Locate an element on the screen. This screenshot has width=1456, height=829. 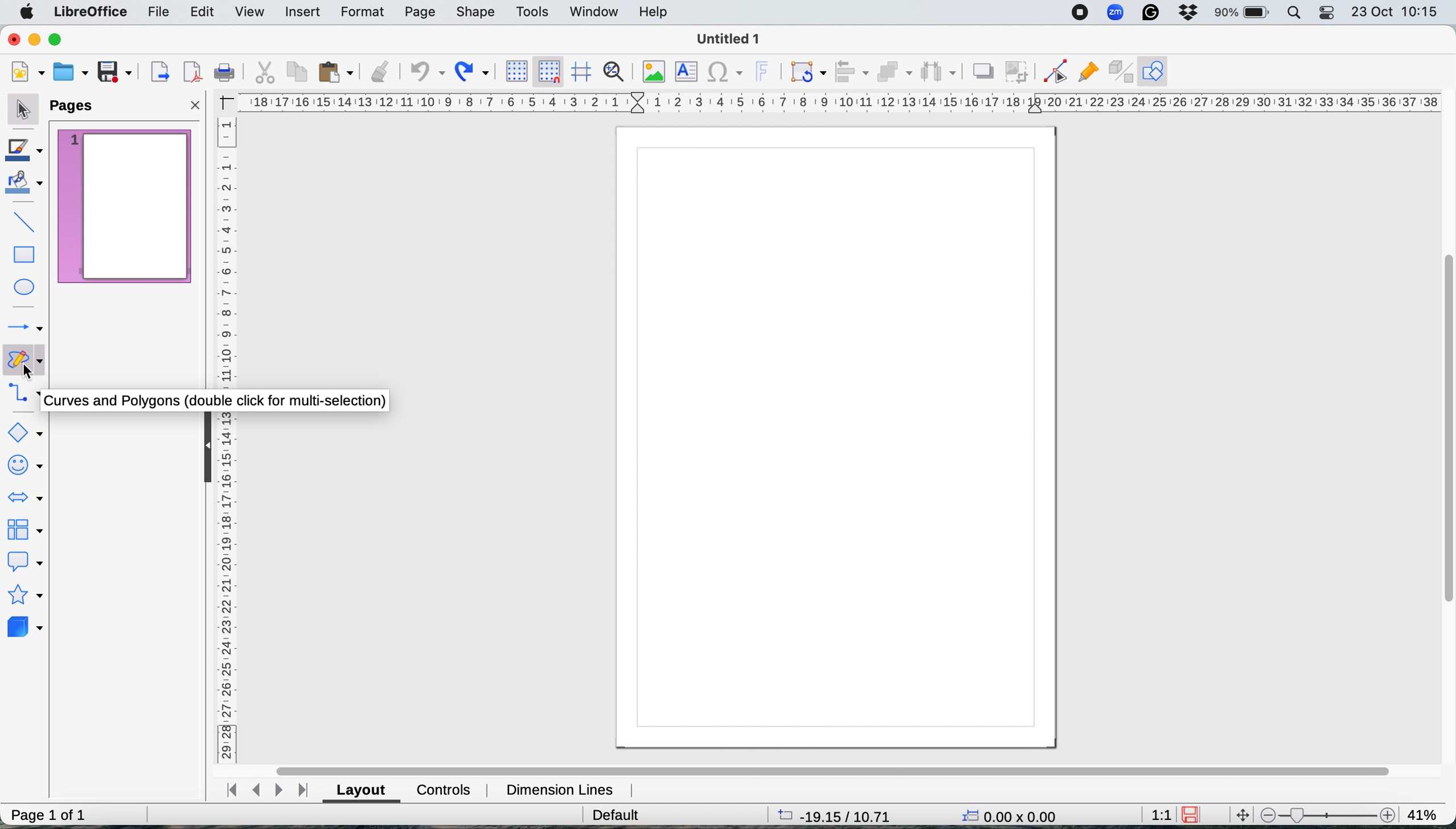
export directly as pdf is located at coordinates (192, 71).